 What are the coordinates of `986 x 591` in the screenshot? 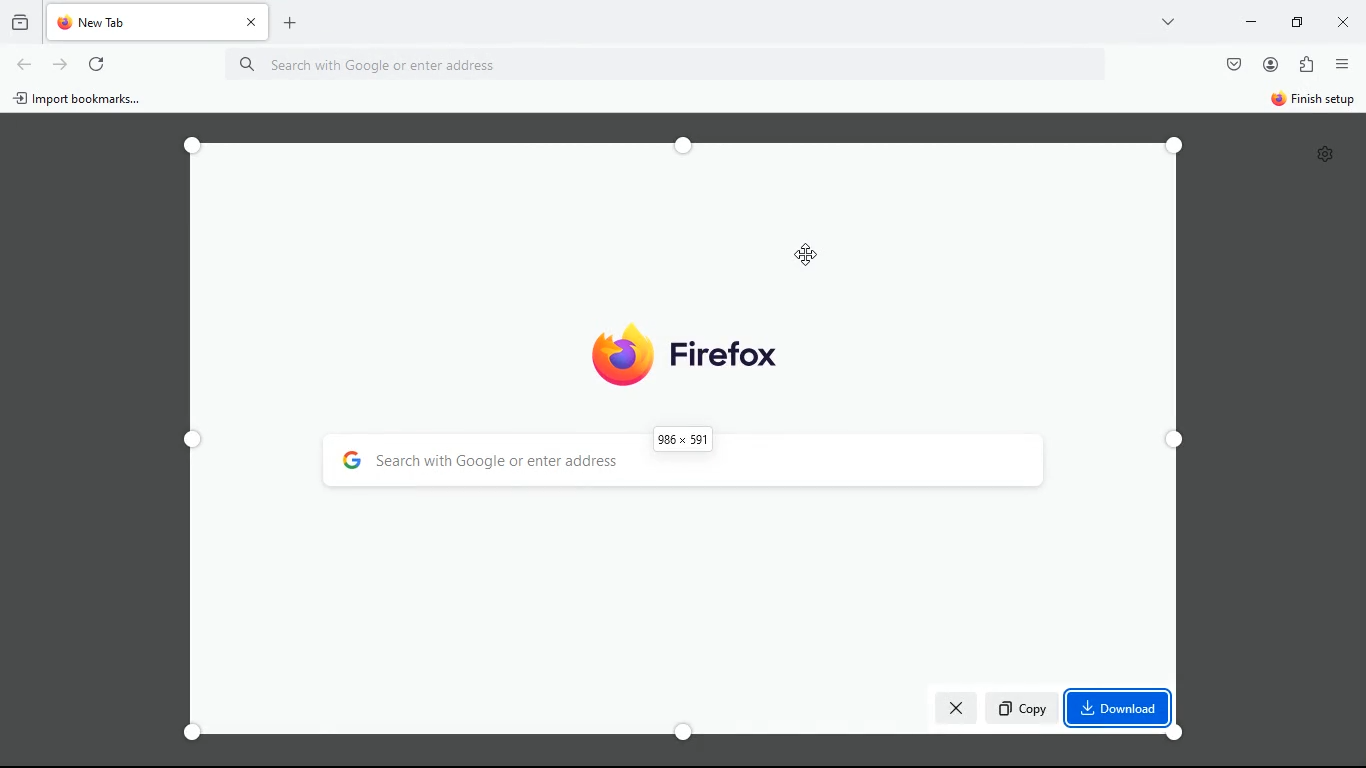 It's located at (682, 438).